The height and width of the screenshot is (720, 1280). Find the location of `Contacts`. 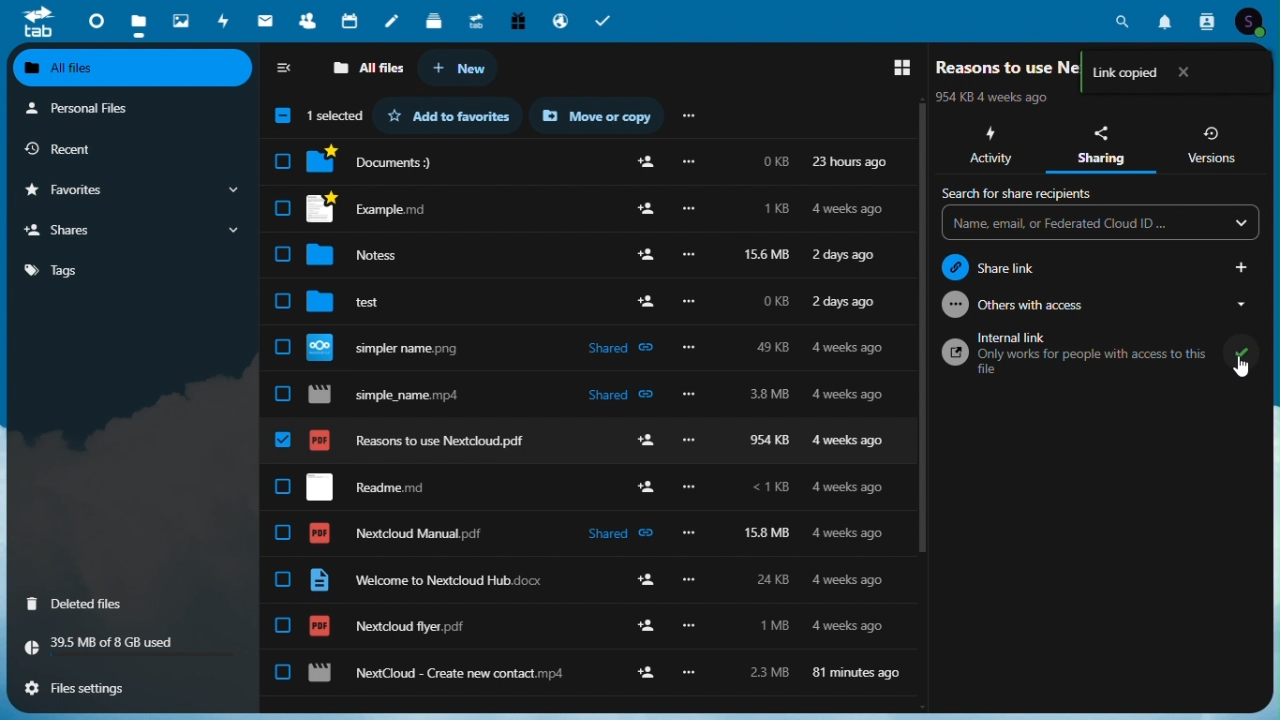

Contacts is located at coordinates (306, 21).